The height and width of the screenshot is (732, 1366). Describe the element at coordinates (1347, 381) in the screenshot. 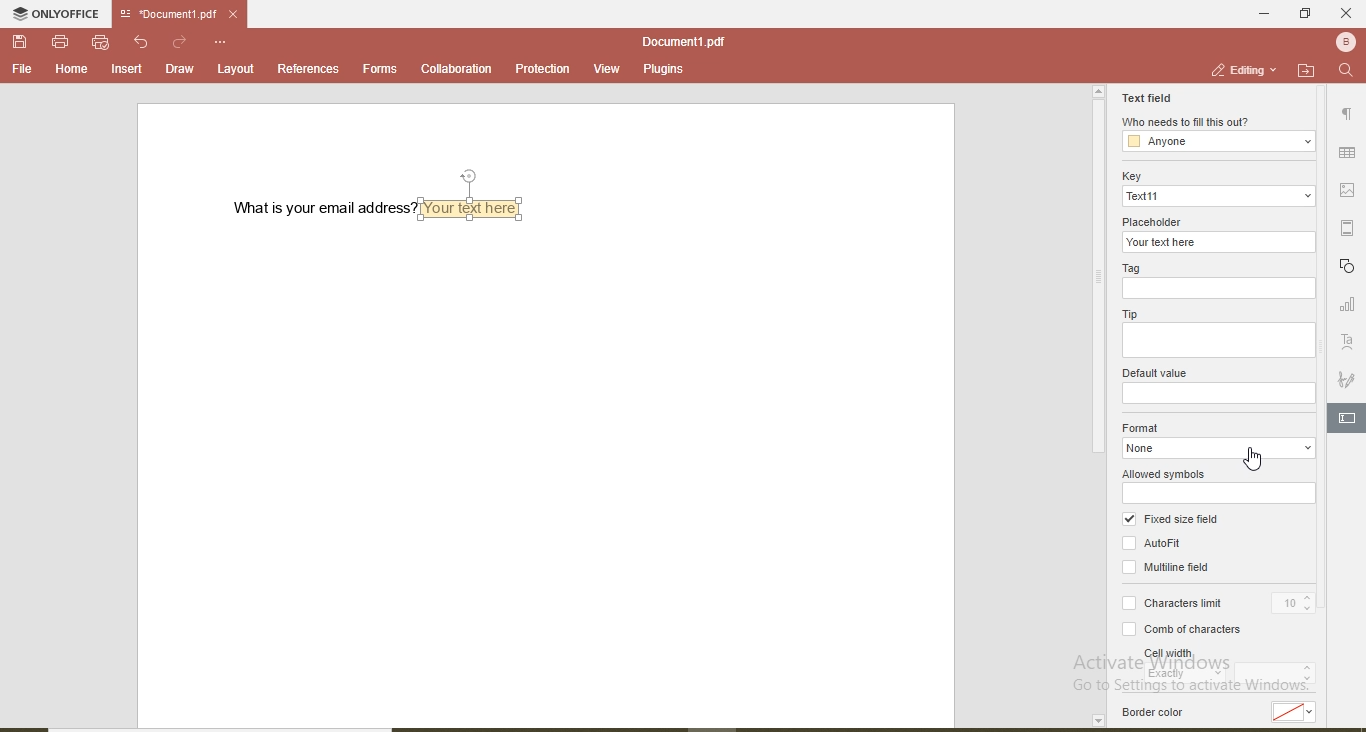

I see `signature` at that location.